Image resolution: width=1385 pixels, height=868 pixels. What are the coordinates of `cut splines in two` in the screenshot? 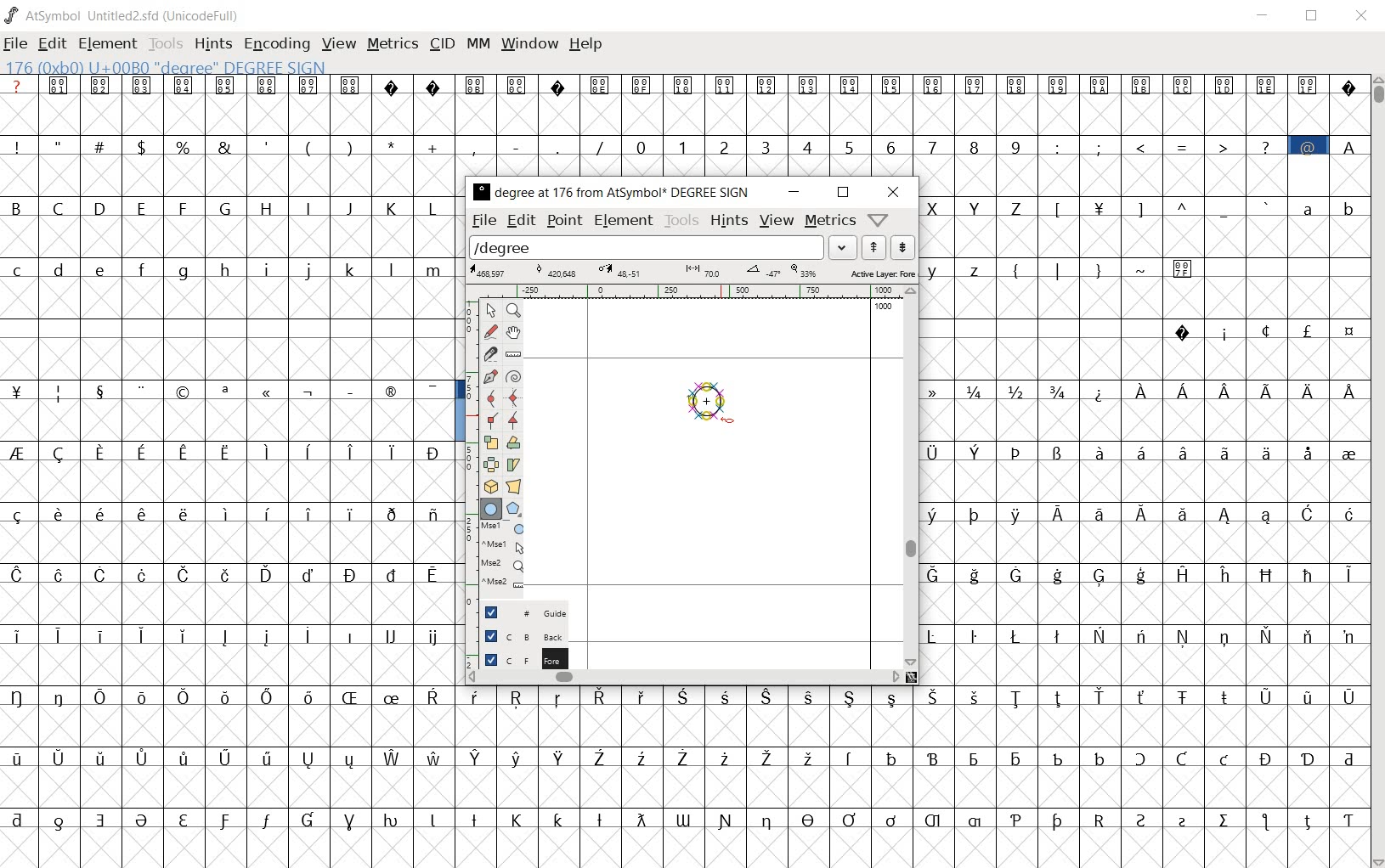 It's located at (489, 353).